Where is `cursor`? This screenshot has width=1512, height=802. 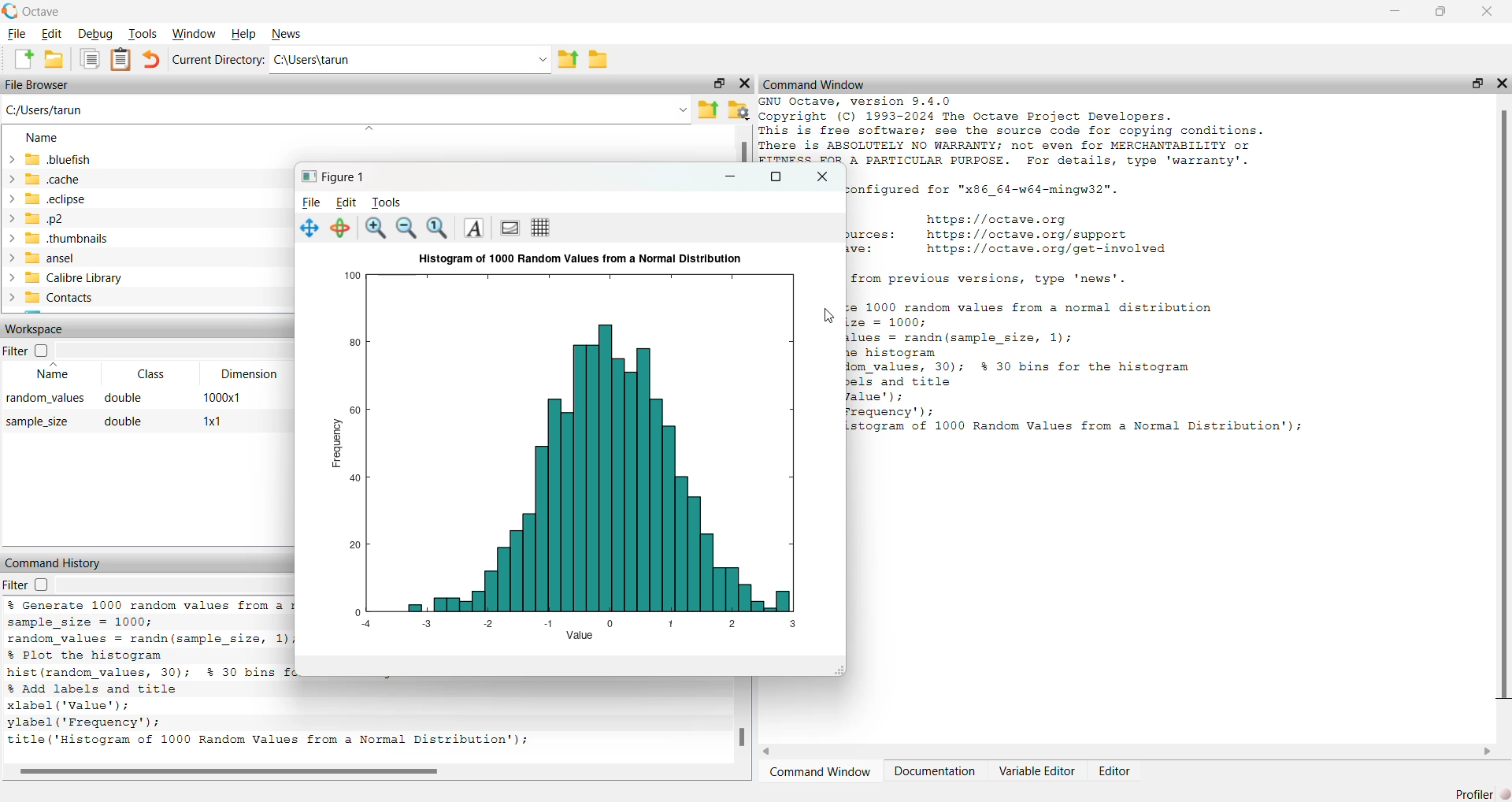 cursor is located at coordinates (828, 315).